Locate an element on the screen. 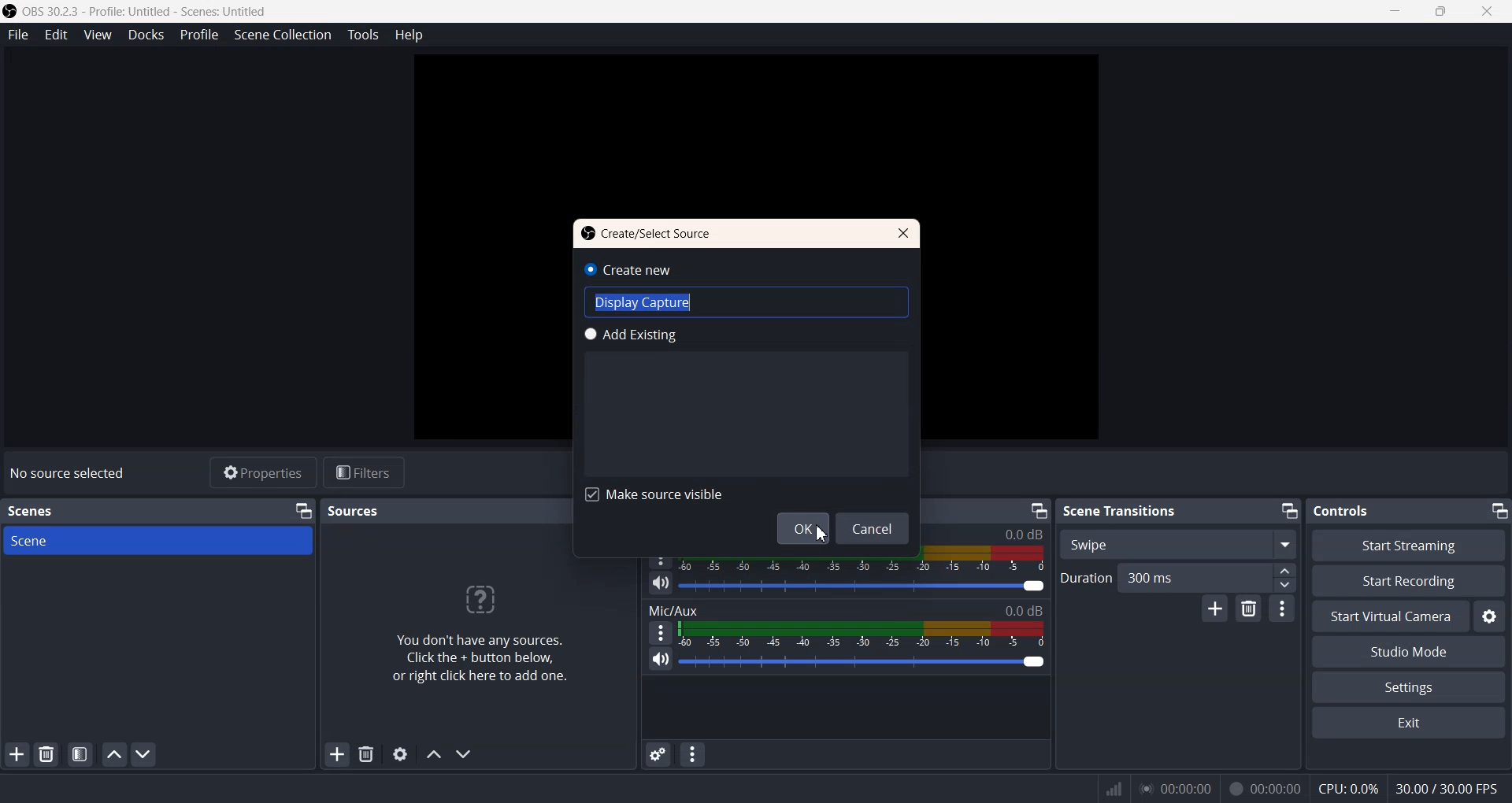  00.00.00 is located at coordinates (1177, 788).